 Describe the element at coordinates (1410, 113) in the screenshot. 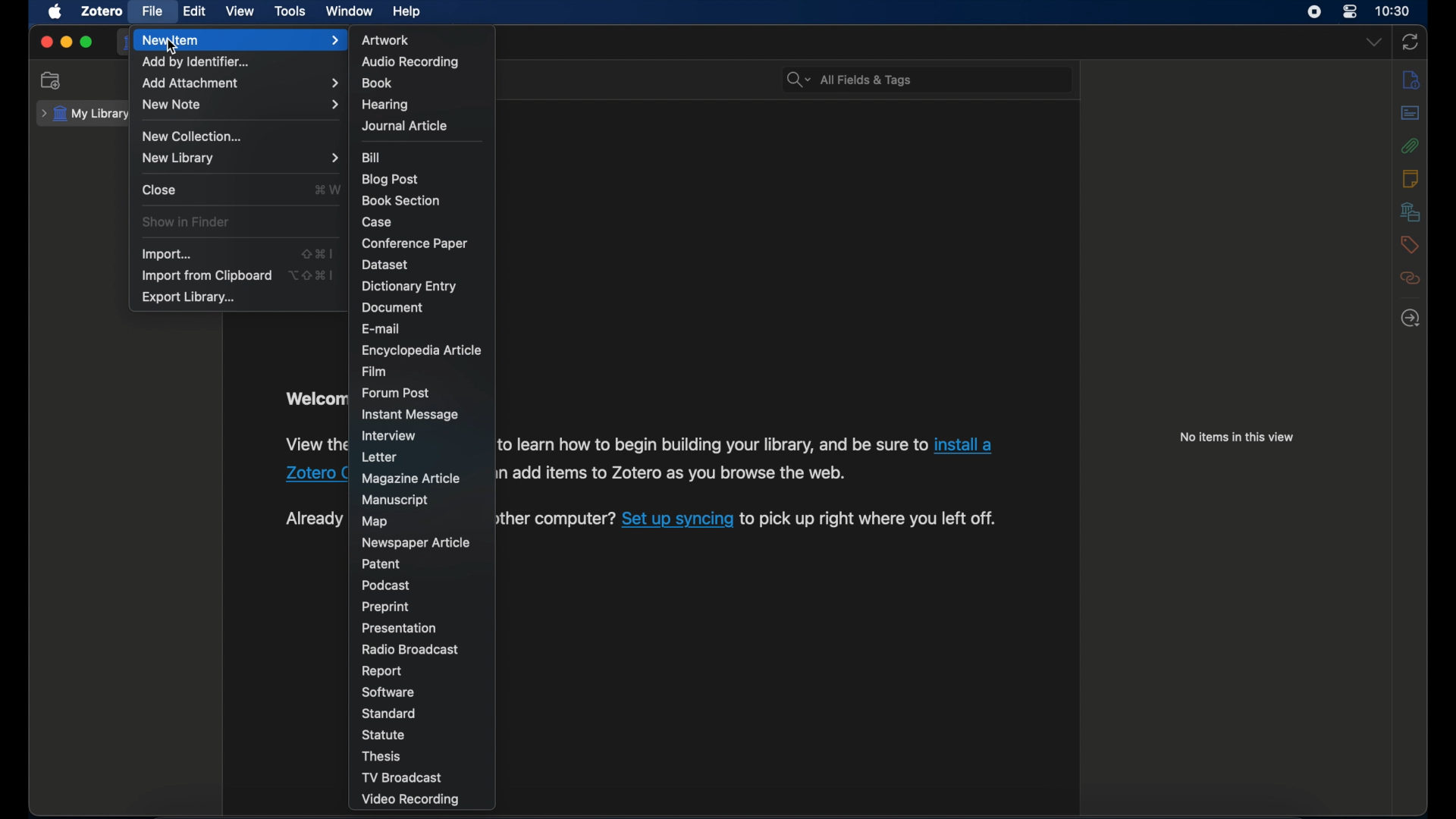

I see `abstract` at that location.